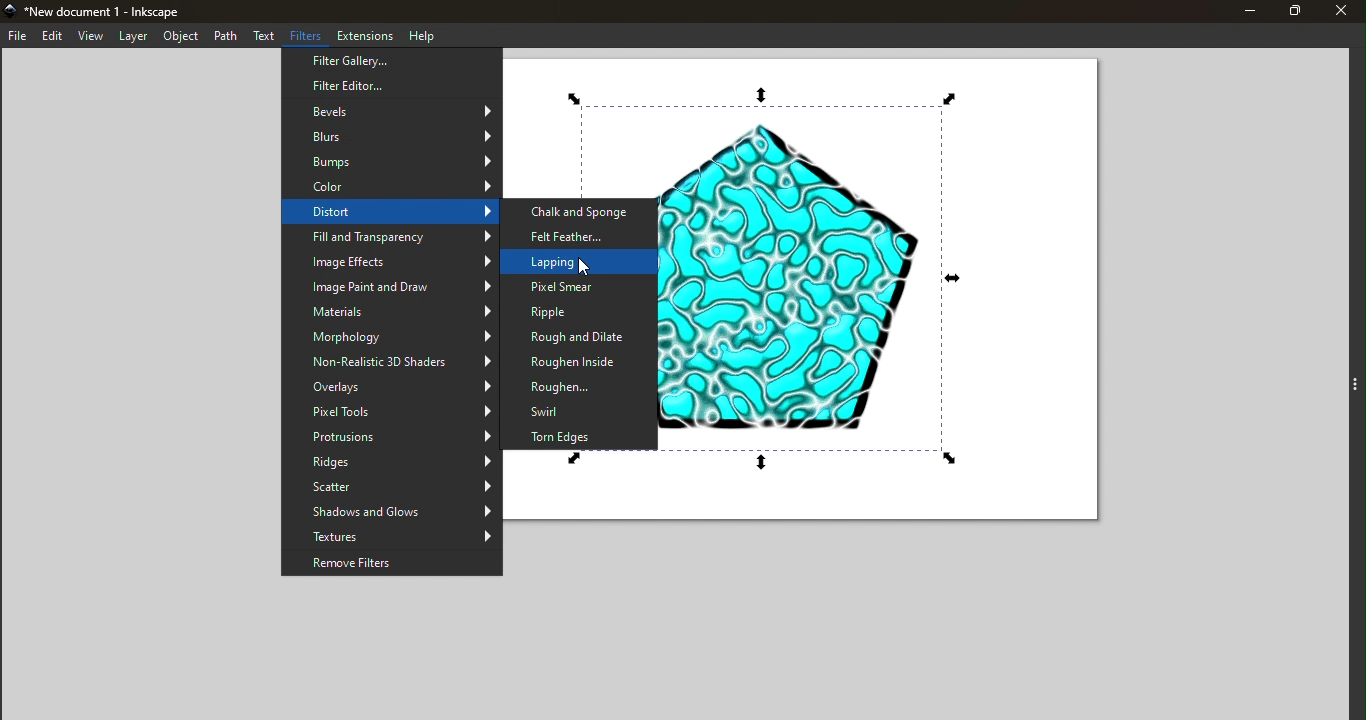 This screenshot has width=1366, height=720. Describe the element at coordinates (584, 436) in the screenshot. I see `Torn Edges` at that location.